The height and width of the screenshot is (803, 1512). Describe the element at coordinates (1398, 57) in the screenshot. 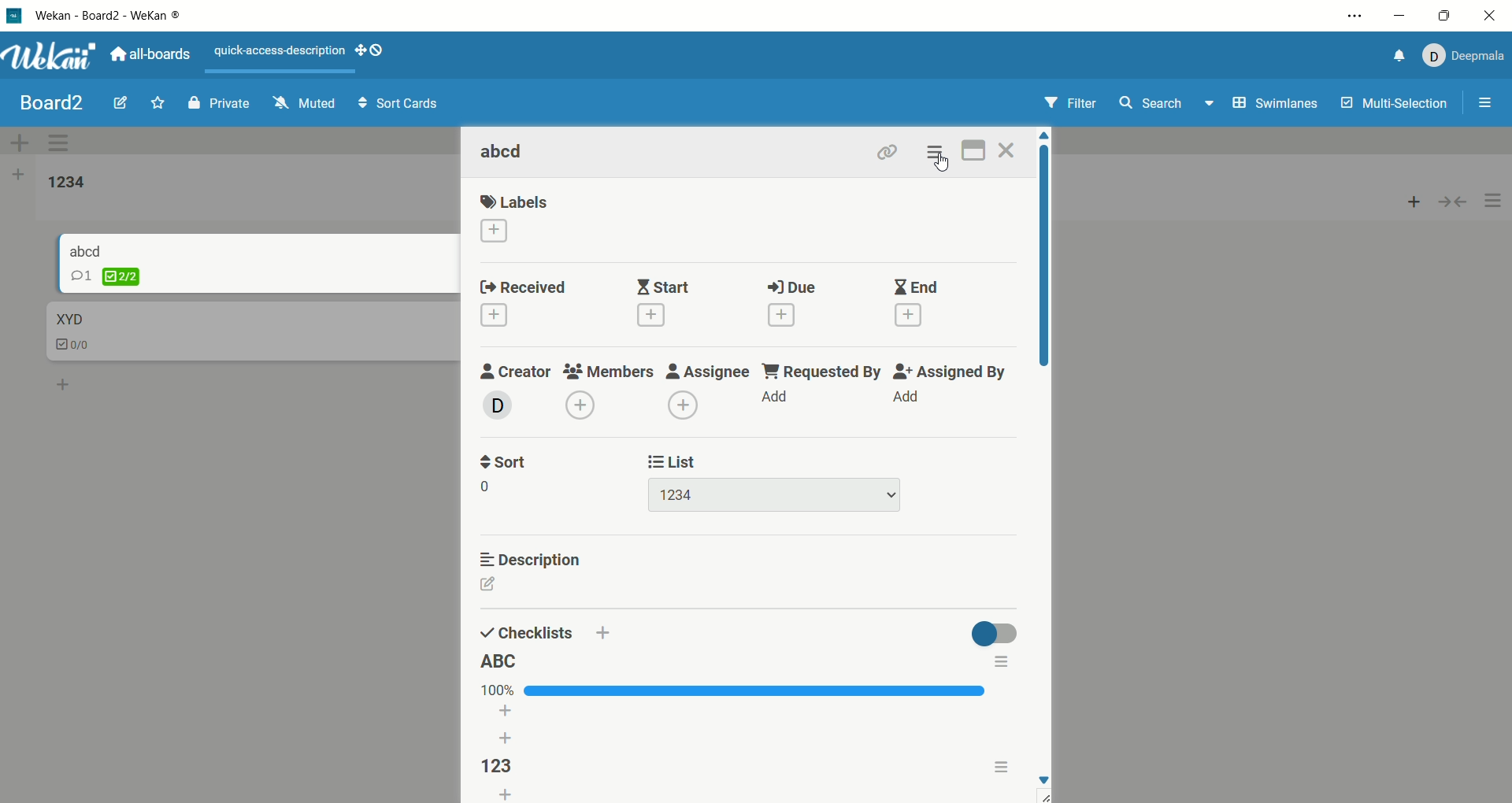

I see `notification` at that location.